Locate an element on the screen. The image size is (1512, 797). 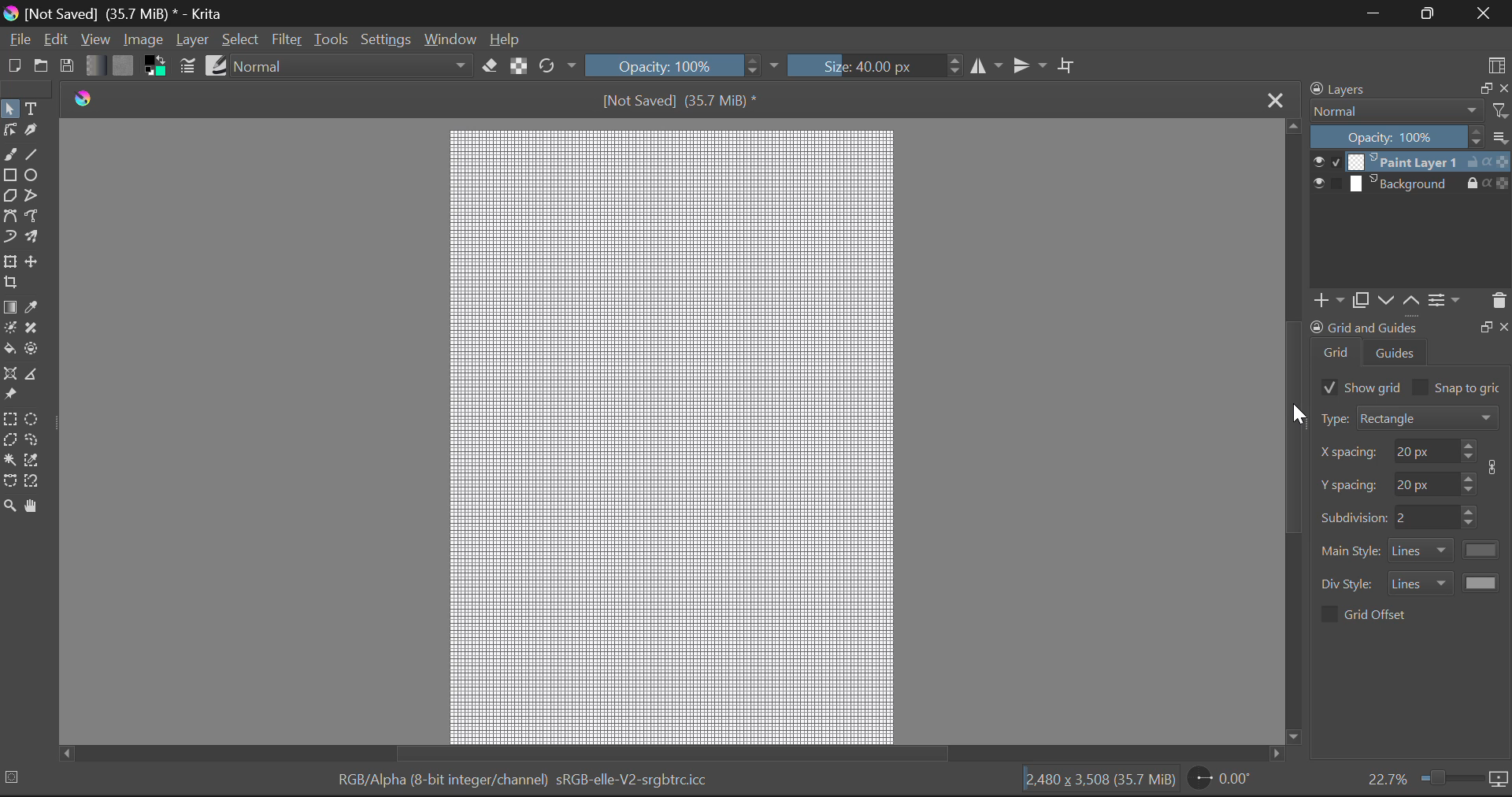
Crop is located at coordinates (1069, 65).